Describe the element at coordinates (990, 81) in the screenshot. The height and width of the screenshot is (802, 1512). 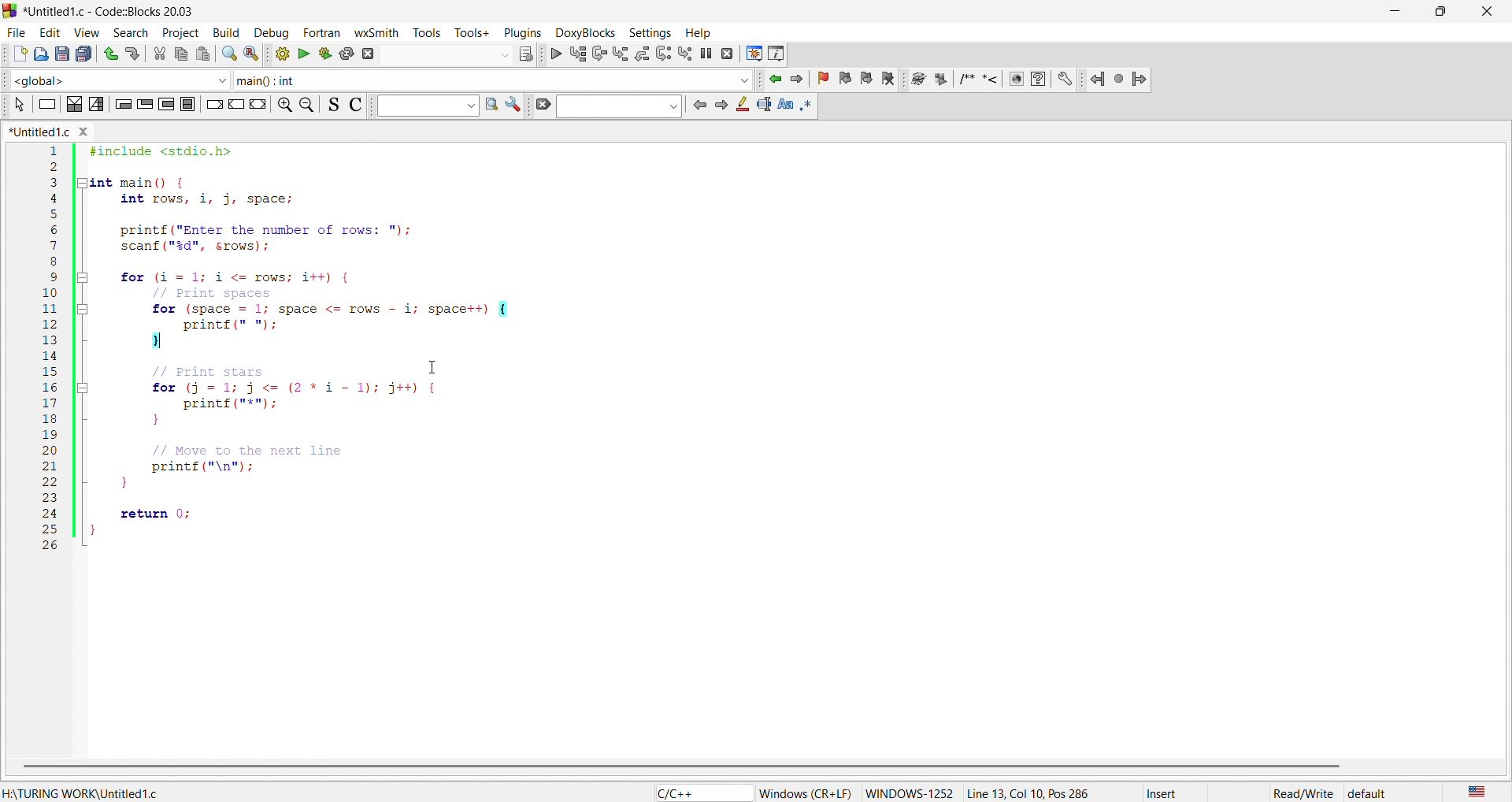
I see `insert line` at that location.